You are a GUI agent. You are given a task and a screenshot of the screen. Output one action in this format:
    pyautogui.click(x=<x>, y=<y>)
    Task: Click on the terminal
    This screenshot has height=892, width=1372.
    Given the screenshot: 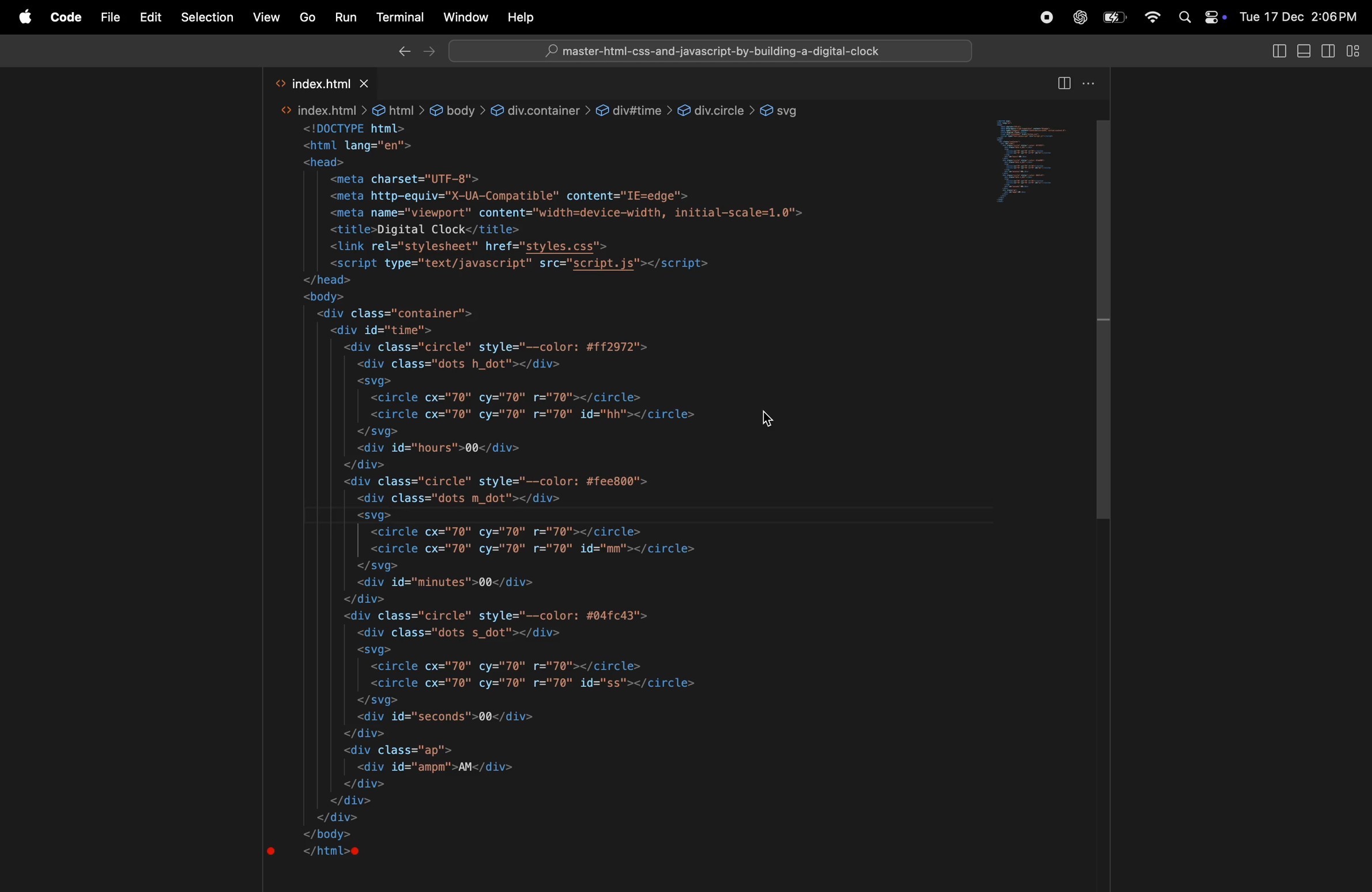 What is the action you would take?
    pyautogui.click(x=402, y=16)
    